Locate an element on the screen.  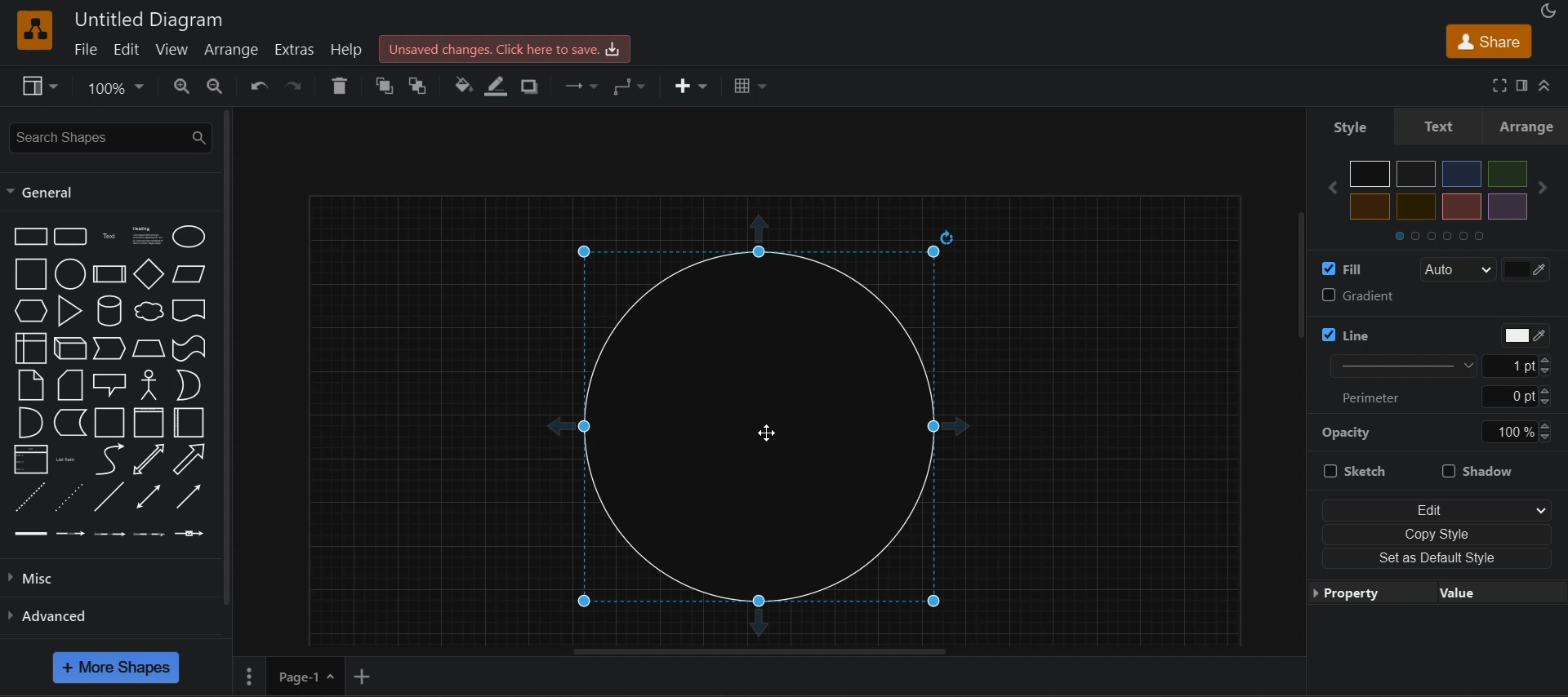
and is located at coordinates (29, 422).